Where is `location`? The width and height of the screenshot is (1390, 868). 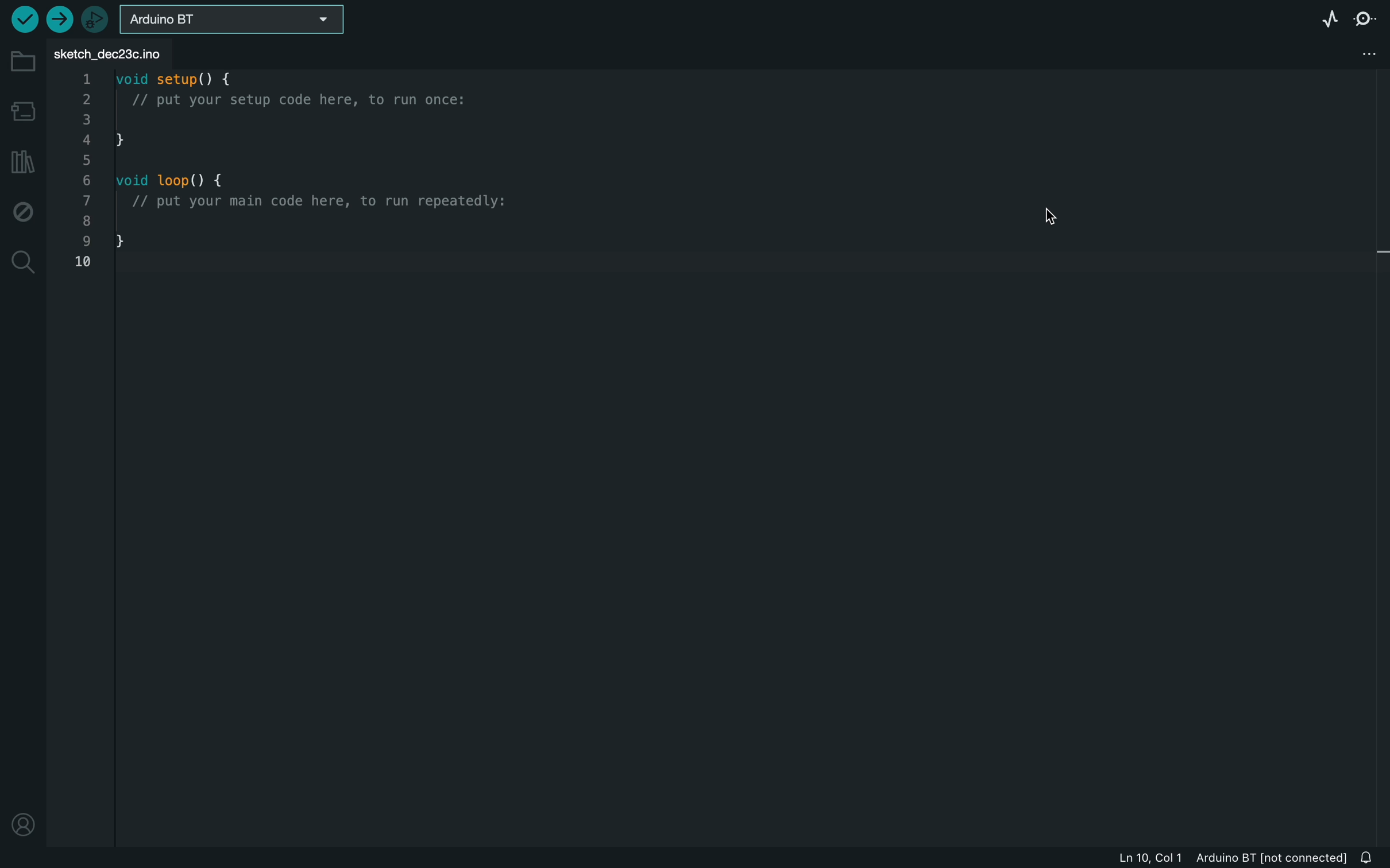 location is located at coordinates (23, 828).